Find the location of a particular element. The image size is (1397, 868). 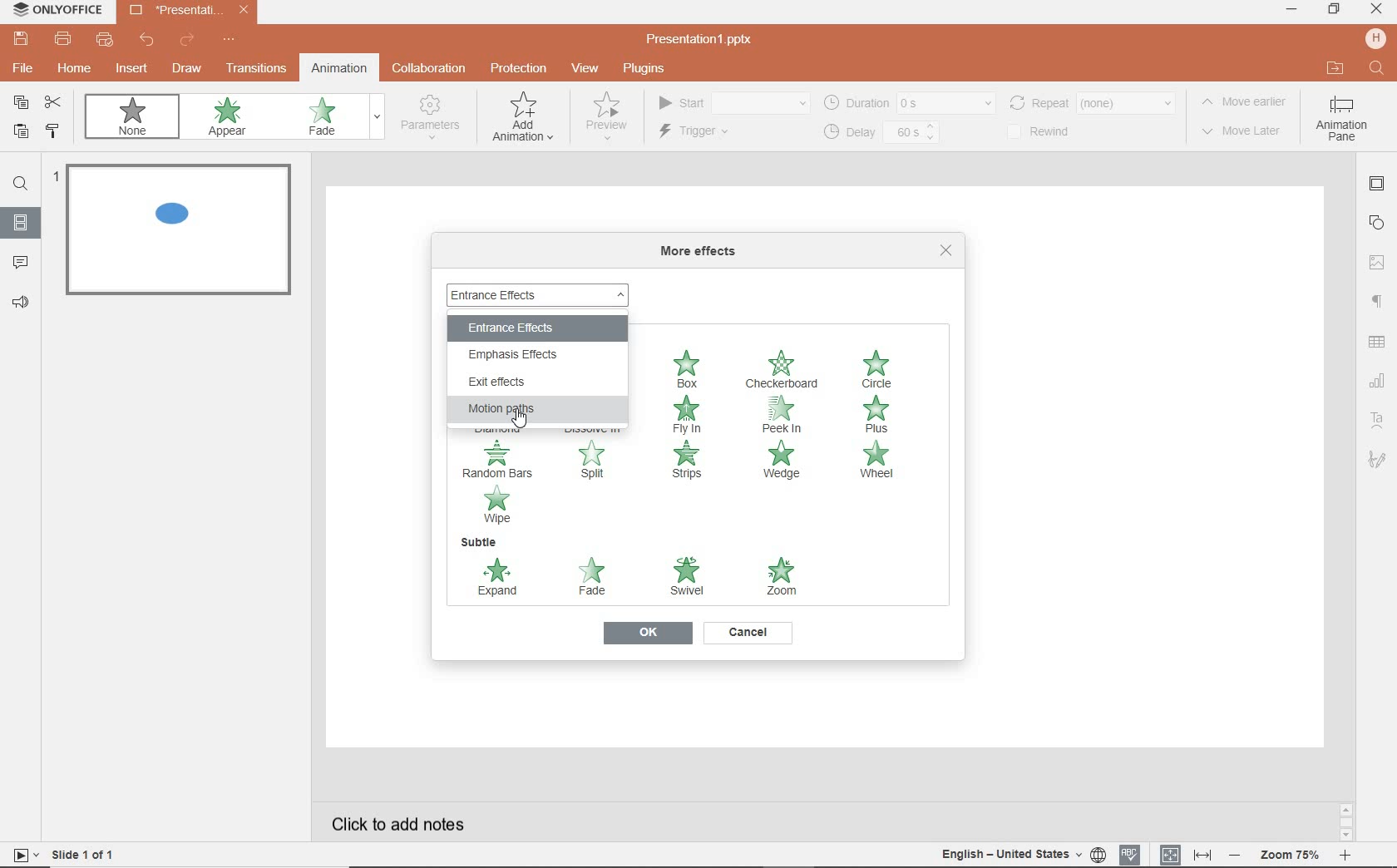

MORE EFFECTS is located at coordinates (703, 252).